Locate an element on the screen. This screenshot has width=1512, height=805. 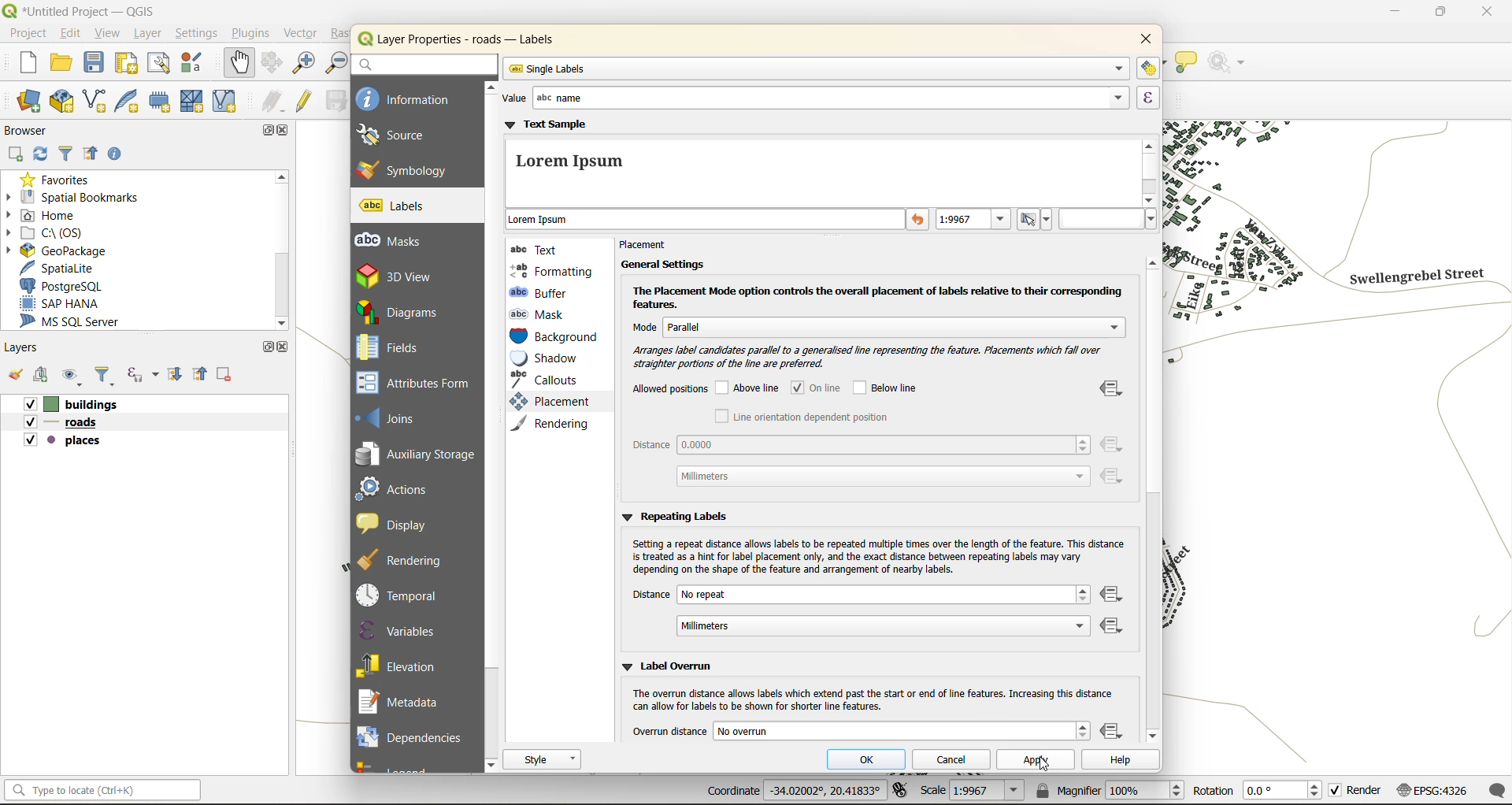
vector is located at coordinates (305, 34).